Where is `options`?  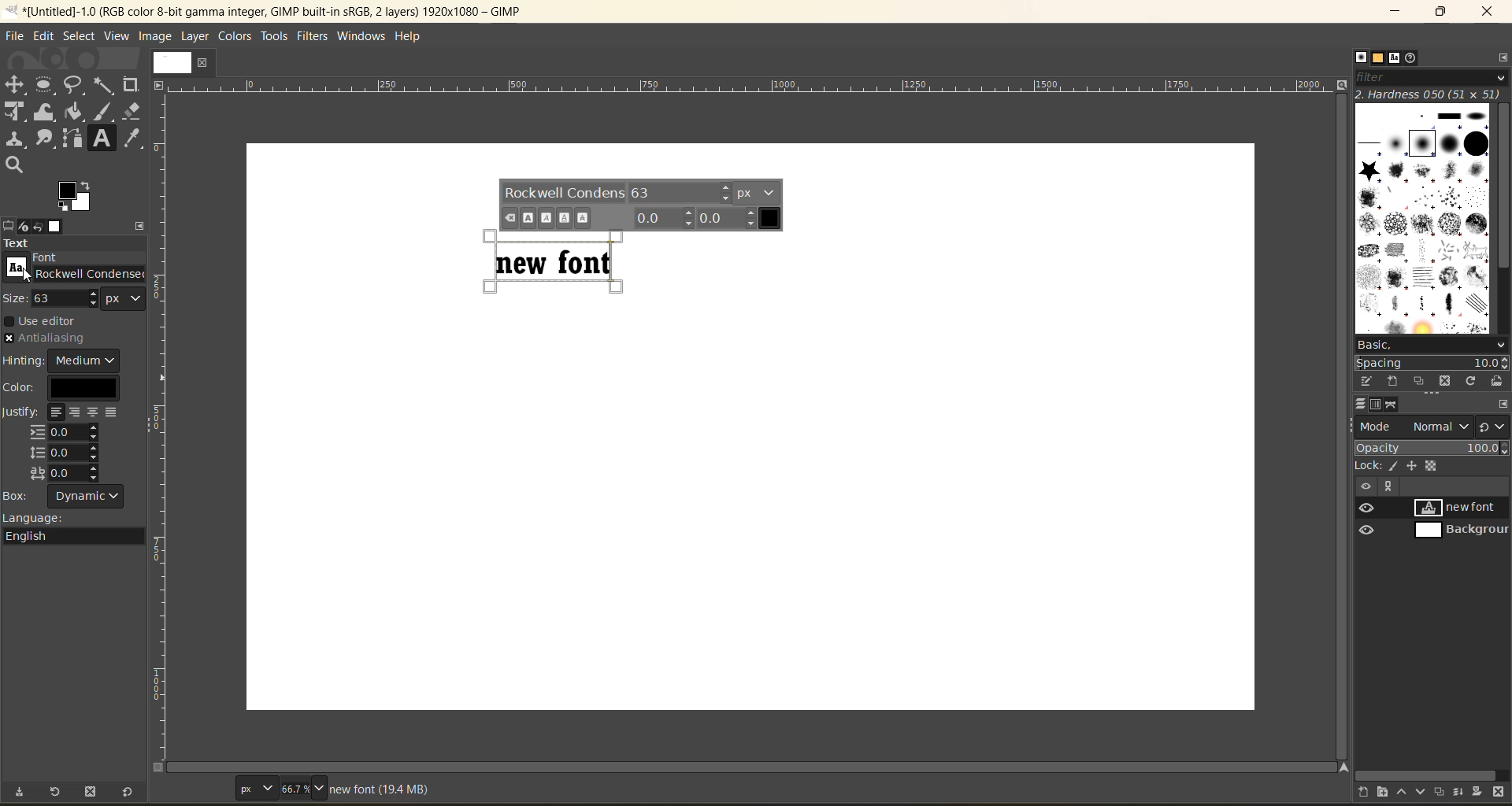
options is located at coordinates (1423, 216).